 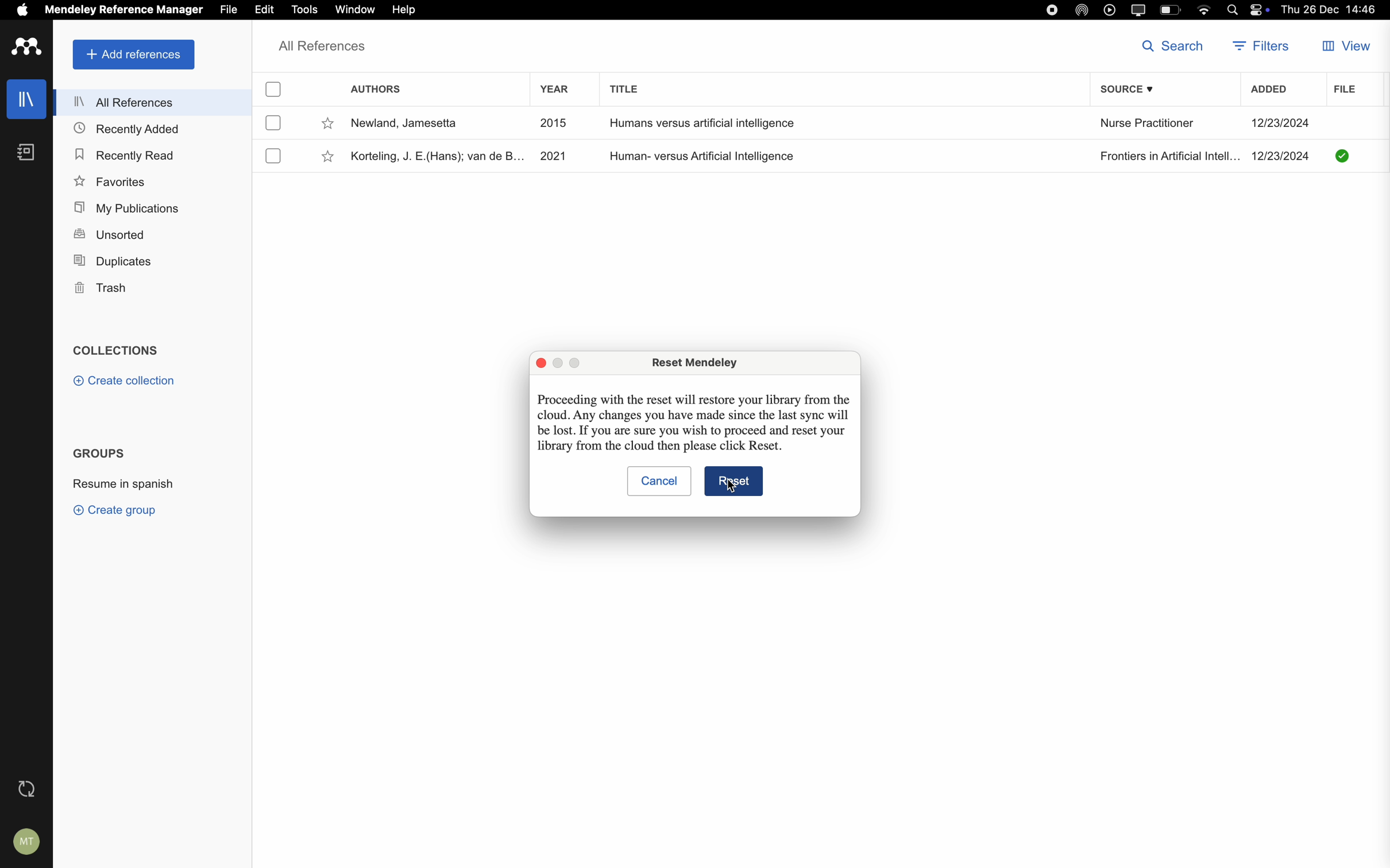 I want to click on checkbox, so click(x=275, y=123).